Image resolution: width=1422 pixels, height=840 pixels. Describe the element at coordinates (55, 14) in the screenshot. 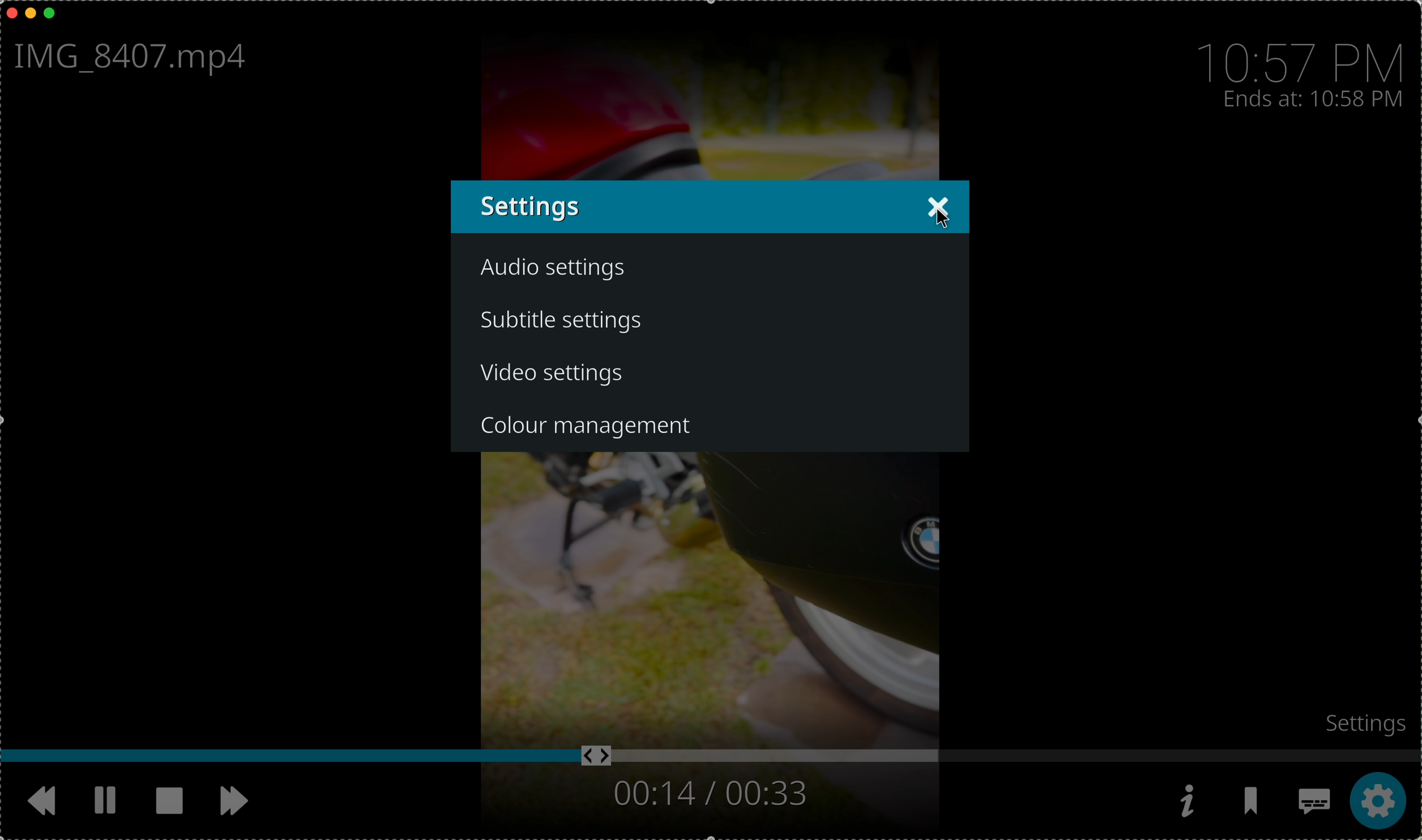

I see `maximize ` at that location.